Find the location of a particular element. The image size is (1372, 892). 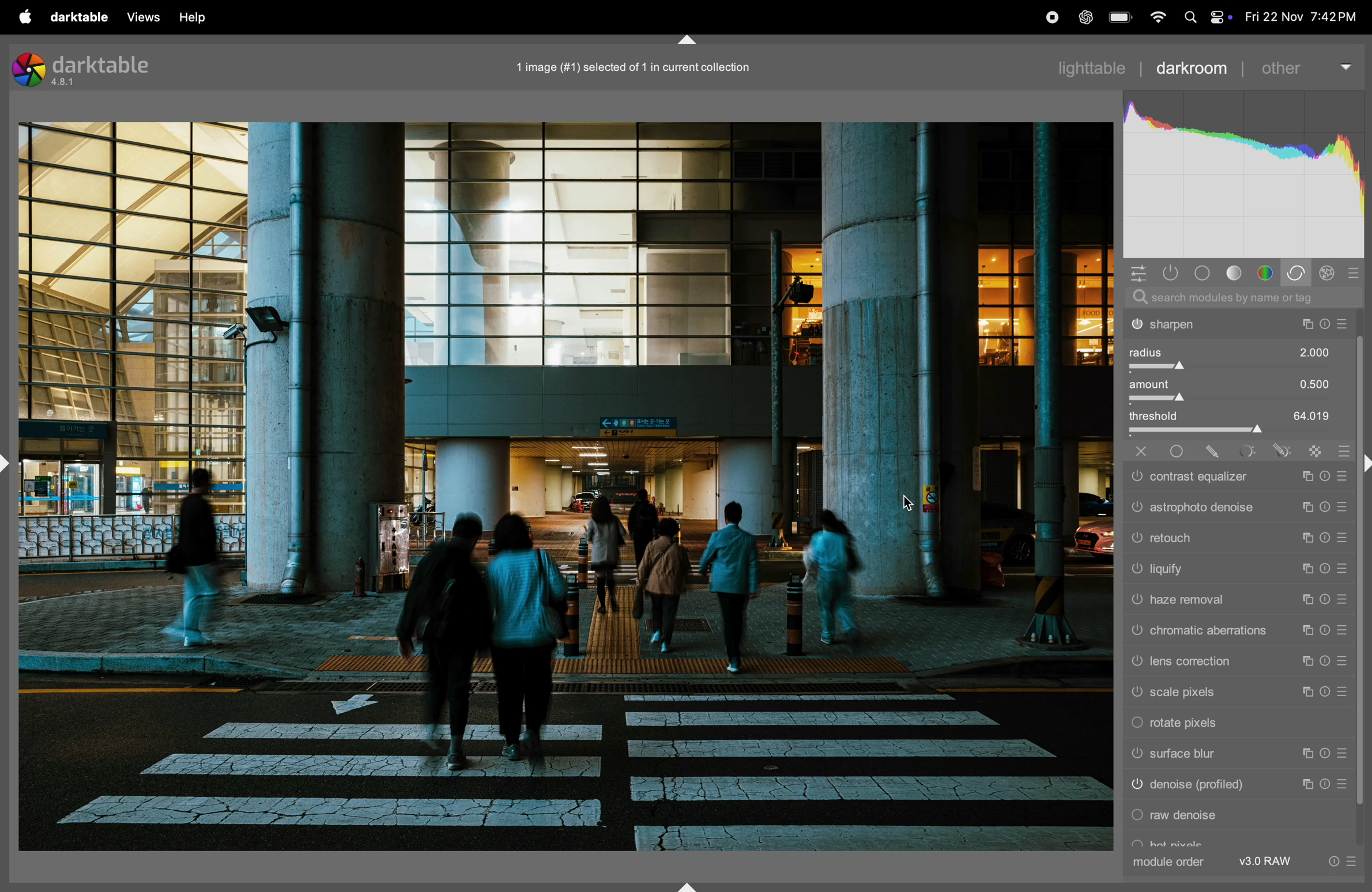

reset is located at coordinates (1356, 273).